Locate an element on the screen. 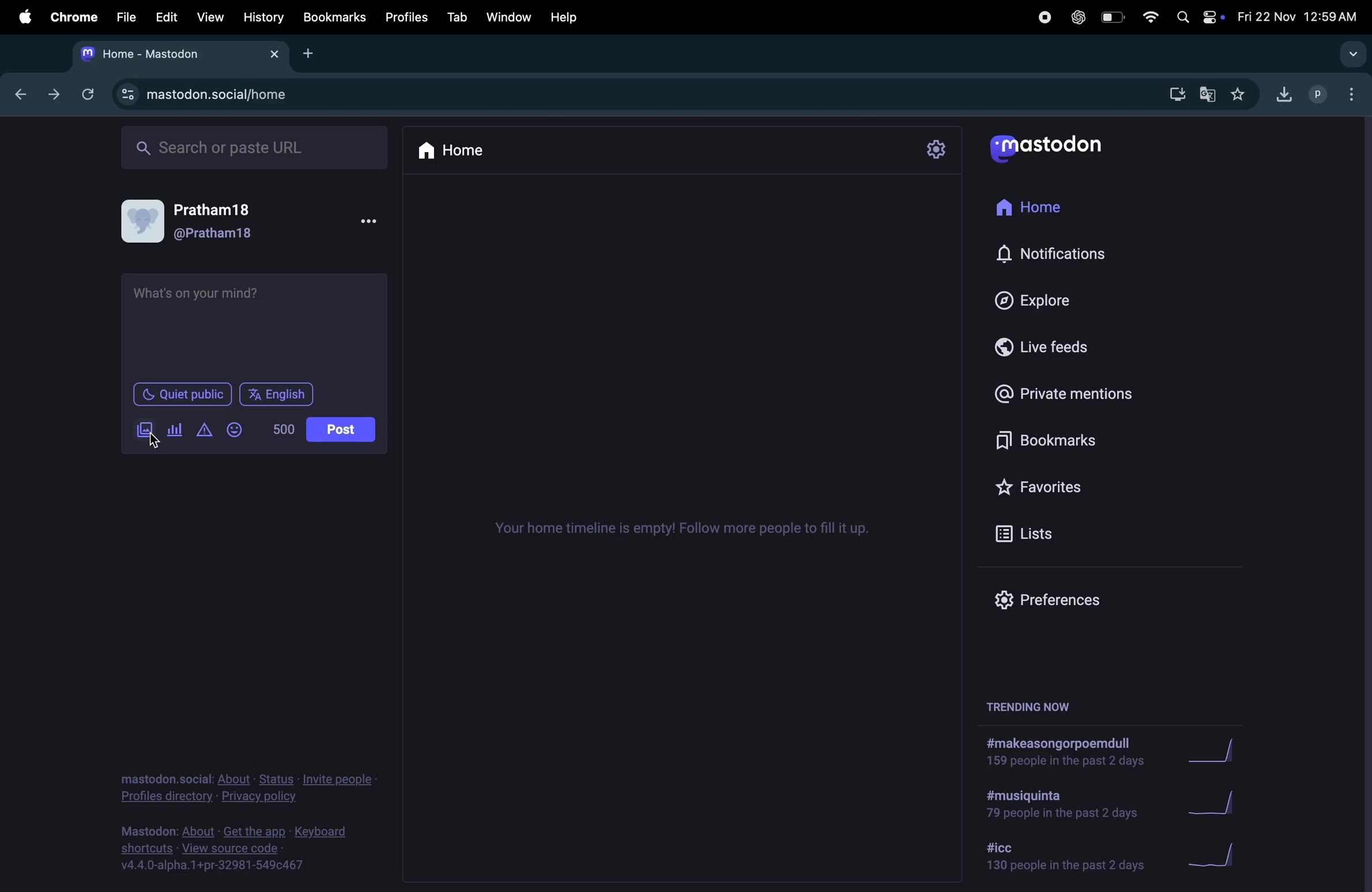 The image size is (1372, 892). status is located at coordinates (278, 780).